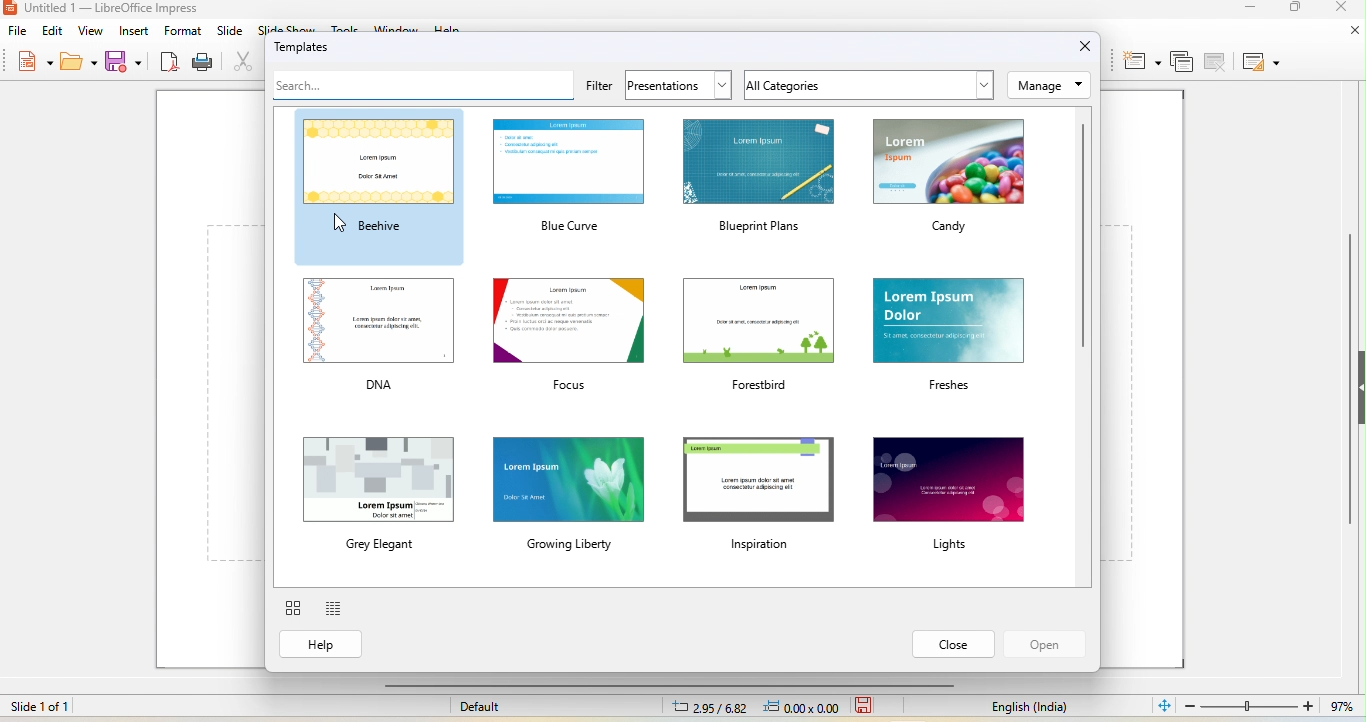 The width and height of the screenshot is (1366, 722). I want to click on fit slide to current window, so click(1162, 705).